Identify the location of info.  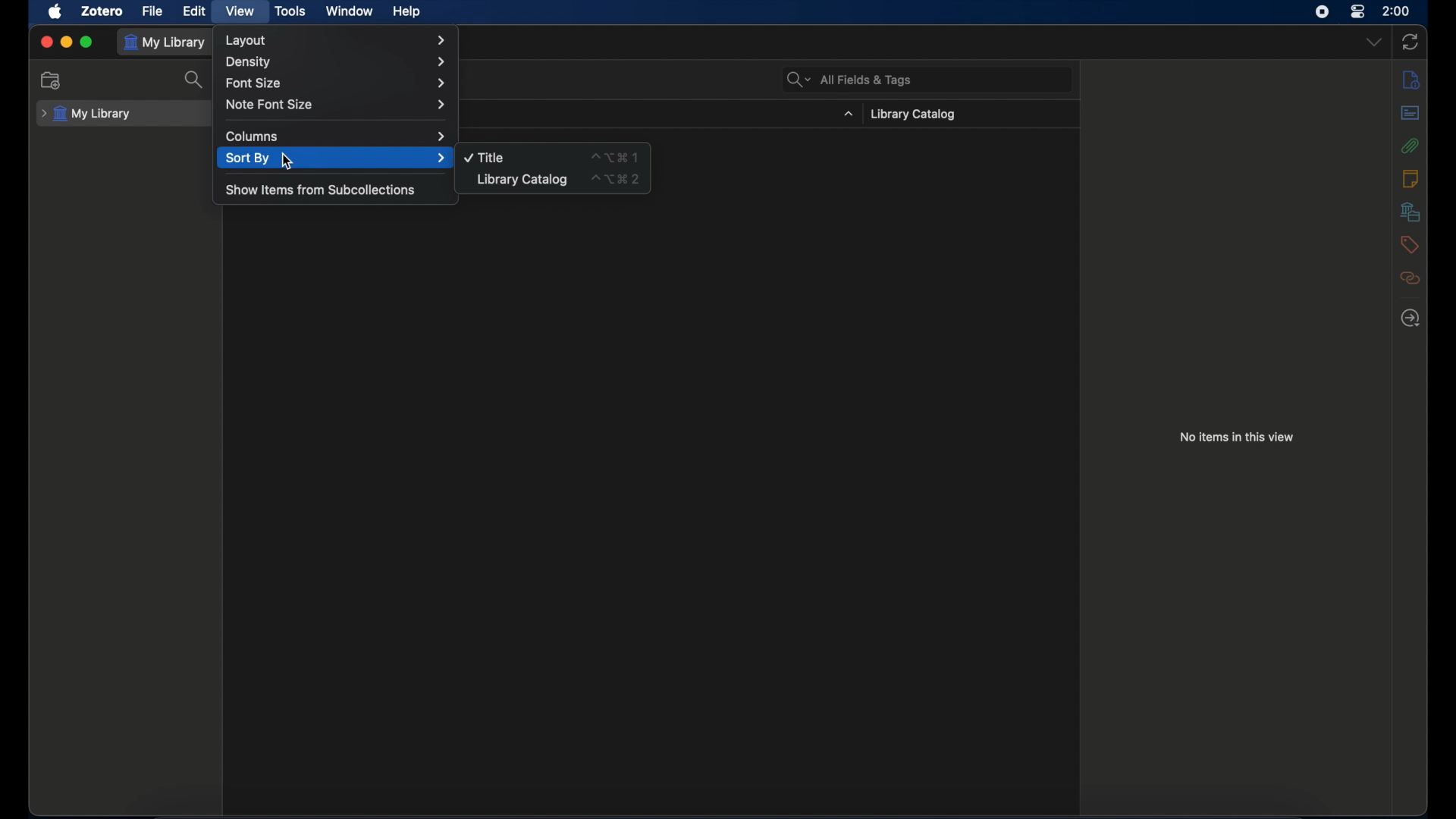
(1410, 80).